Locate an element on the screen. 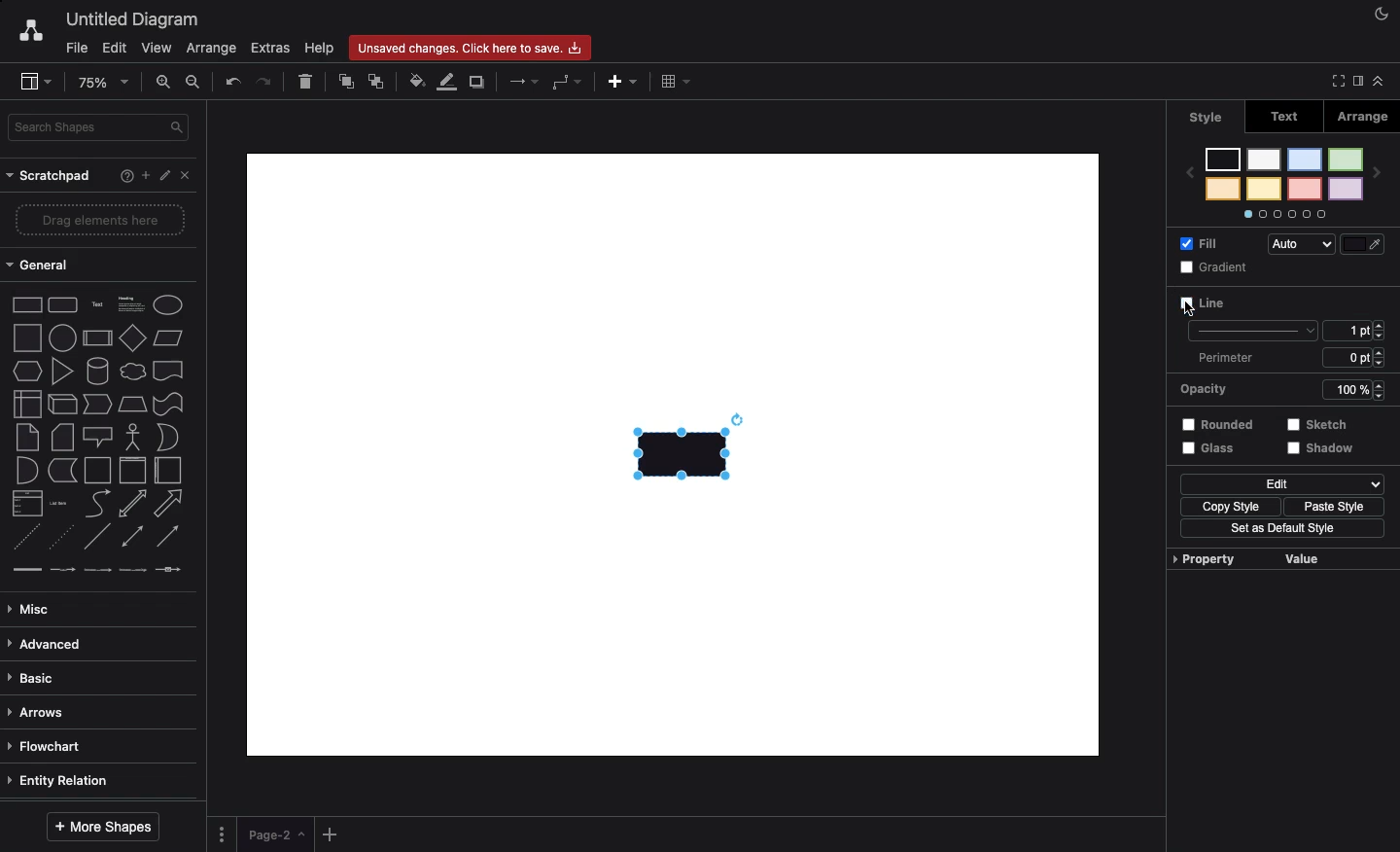  previous is located at coordinates (1188, 171).